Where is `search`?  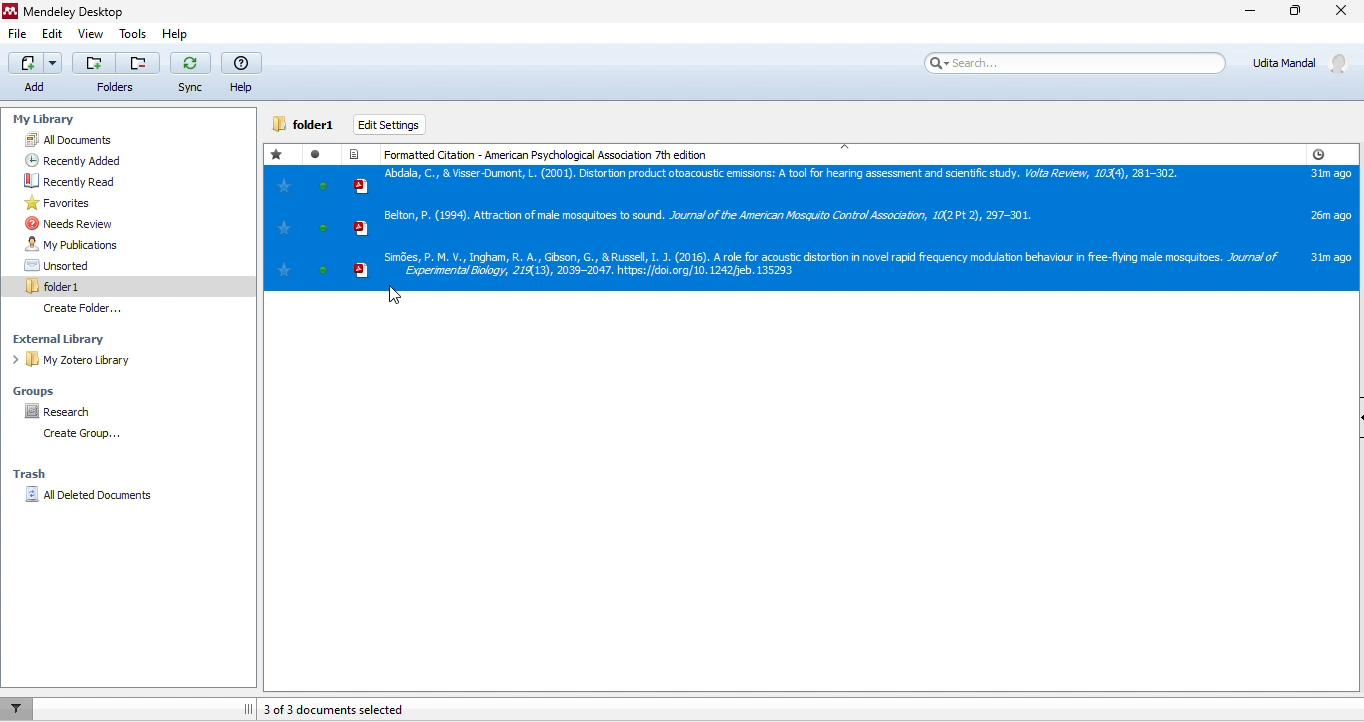
search is located at coordinates (1071, 63).